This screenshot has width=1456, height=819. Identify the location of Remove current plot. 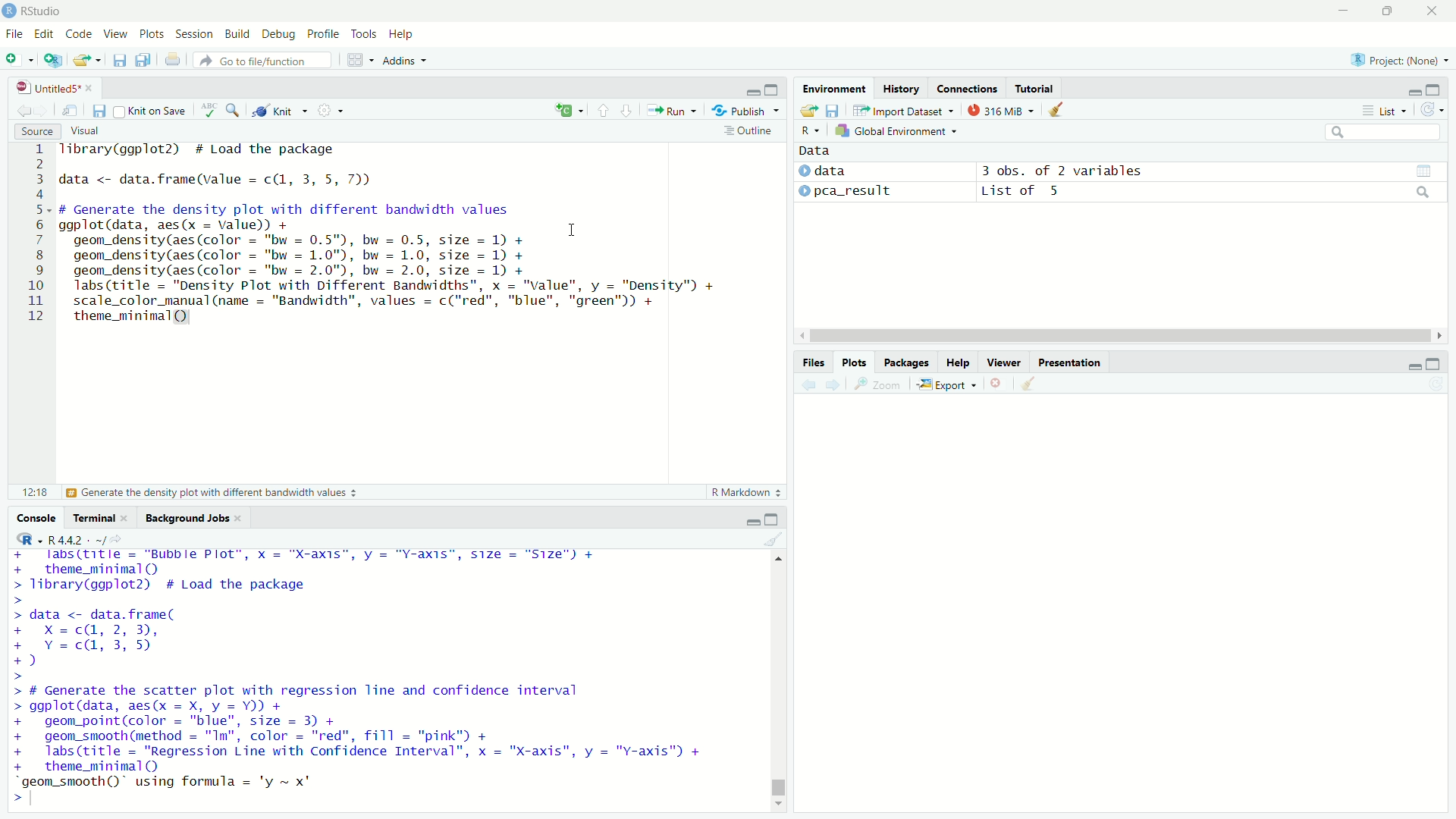
(999, 384).